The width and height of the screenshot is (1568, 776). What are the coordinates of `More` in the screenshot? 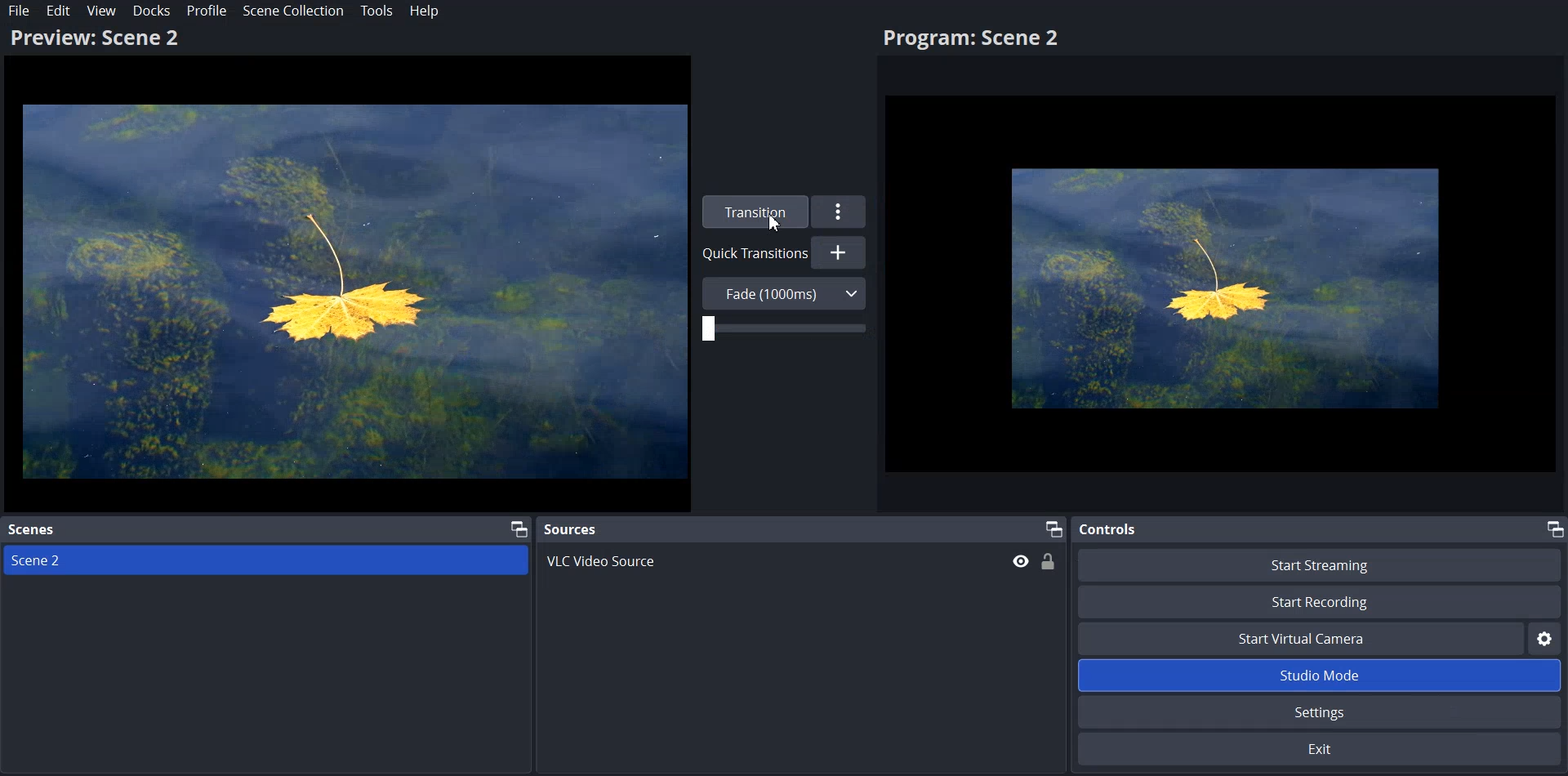 It's located at (841, 212).